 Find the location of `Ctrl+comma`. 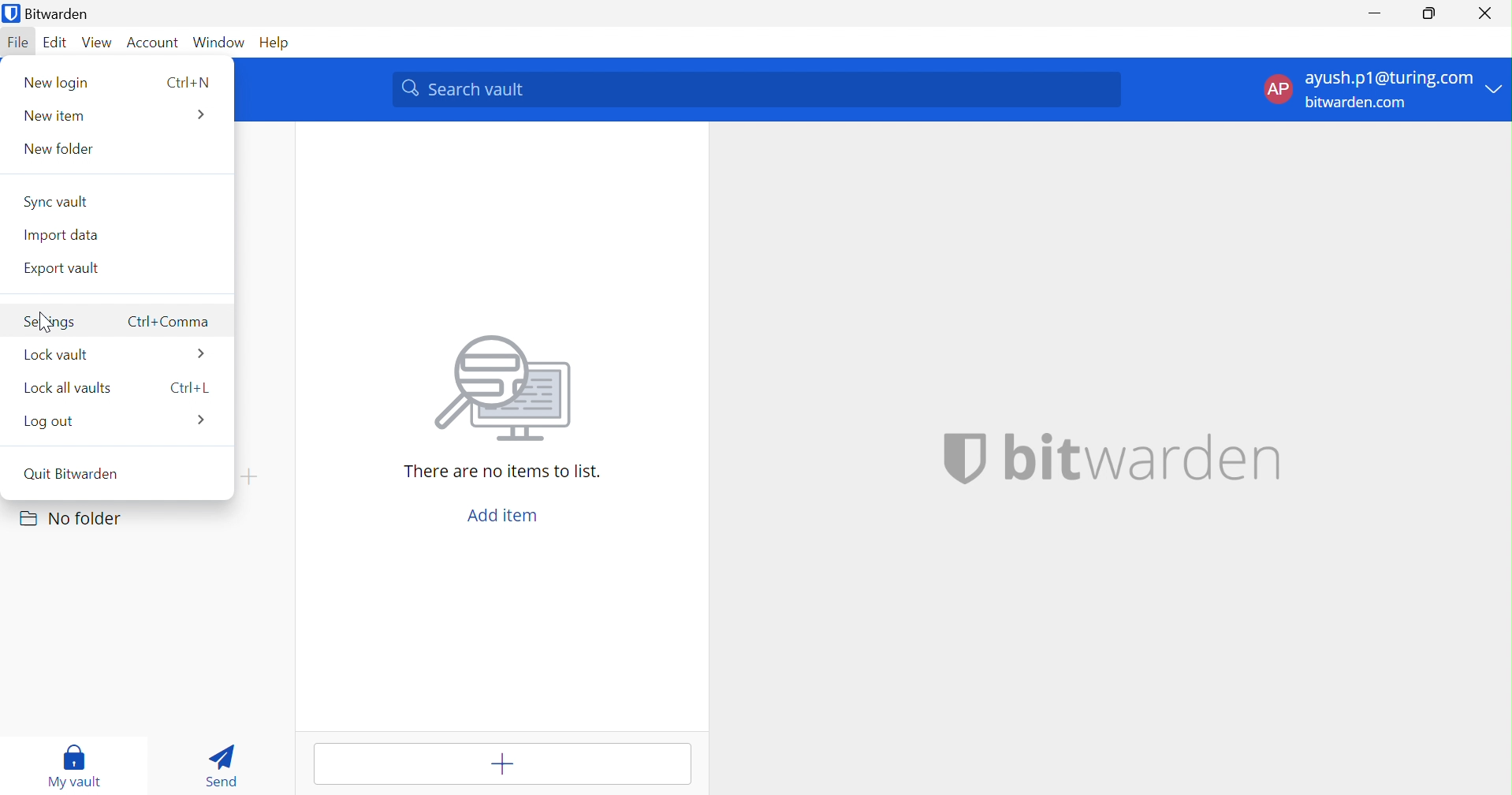

Ctrl+comma is located at coordinates (169, 322).